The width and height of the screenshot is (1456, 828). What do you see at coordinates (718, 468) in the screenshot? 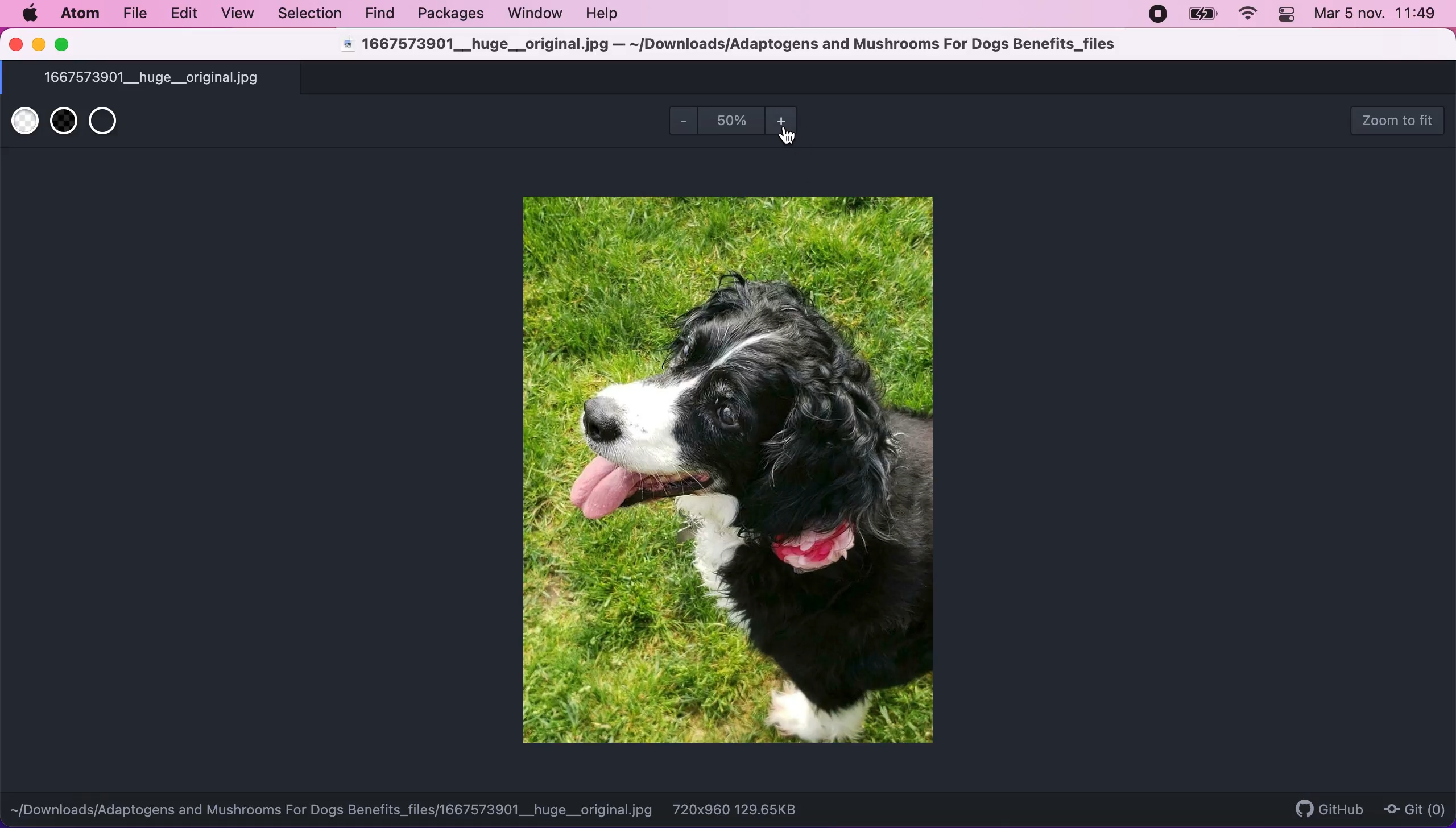
I see `file image` at bounding box center [718, 468].